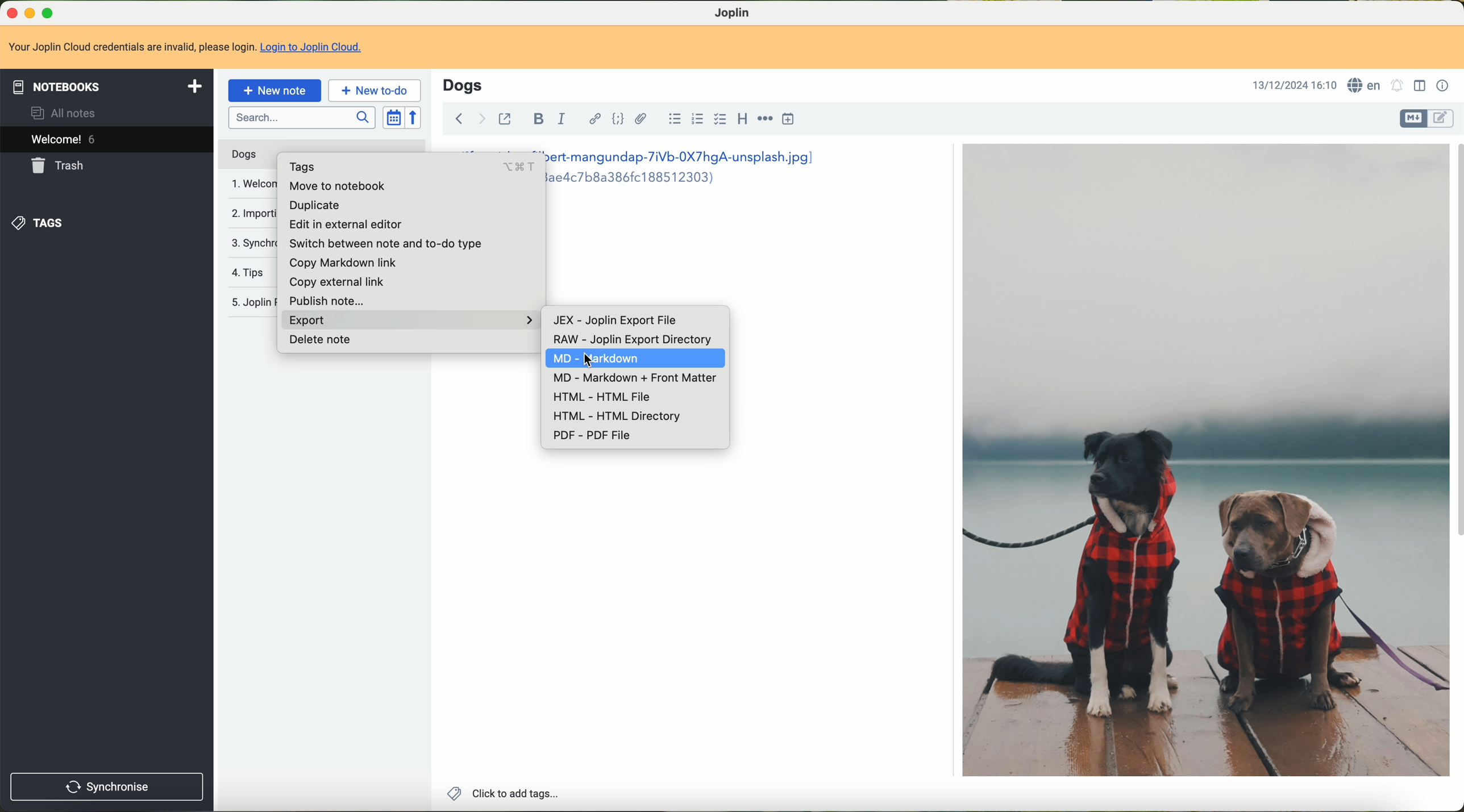 This screenshot has height=812, width=1464. Describe the element at coordinates (1455, 345) in the screenshot. I see `scroll bar` at that location.